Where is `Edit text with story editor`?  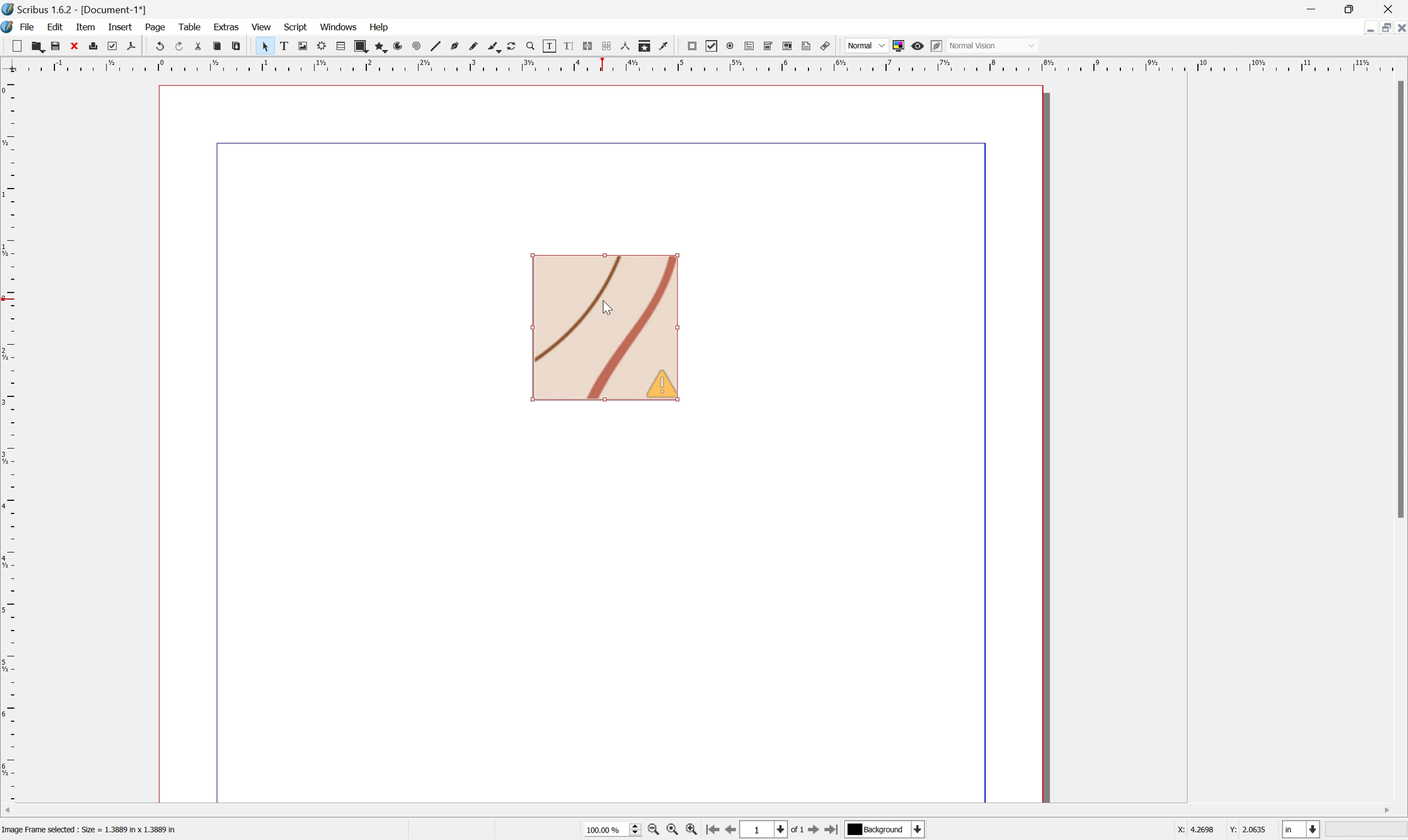 Edit text with story editor is located at coordinates (574, 46).